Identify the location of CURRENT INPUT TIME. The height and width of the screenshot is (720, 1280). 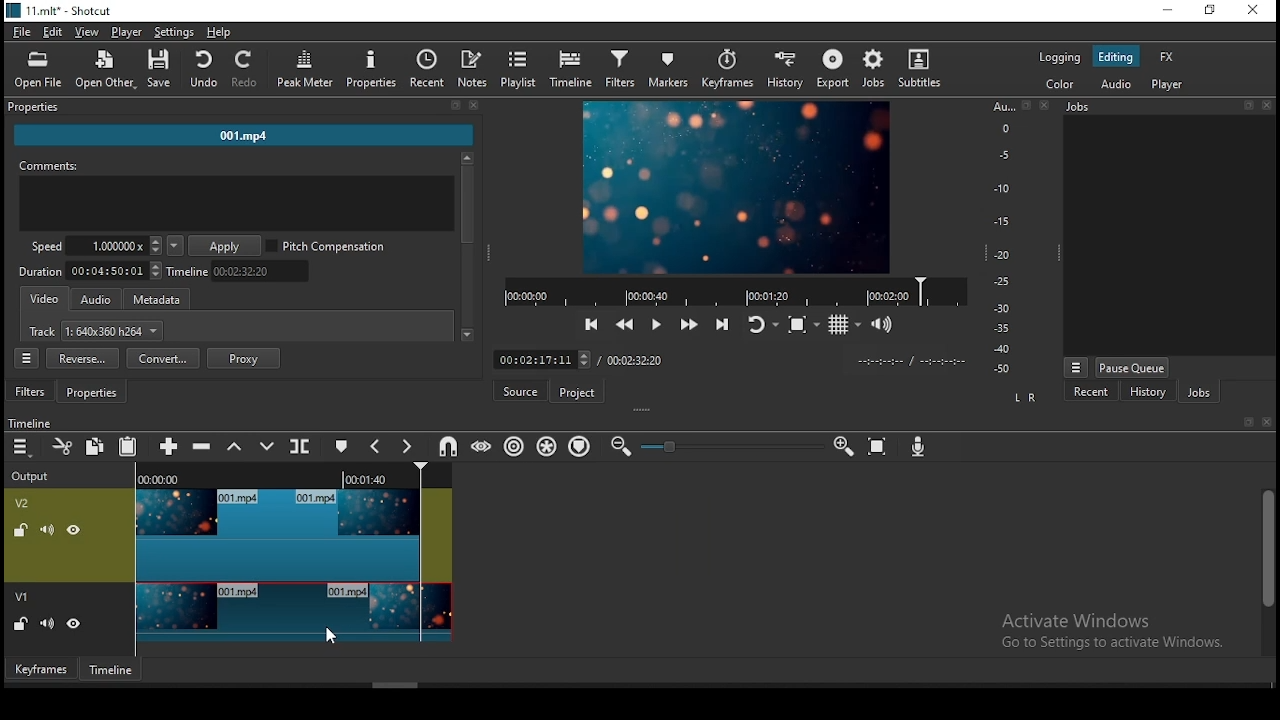
(541, 359).